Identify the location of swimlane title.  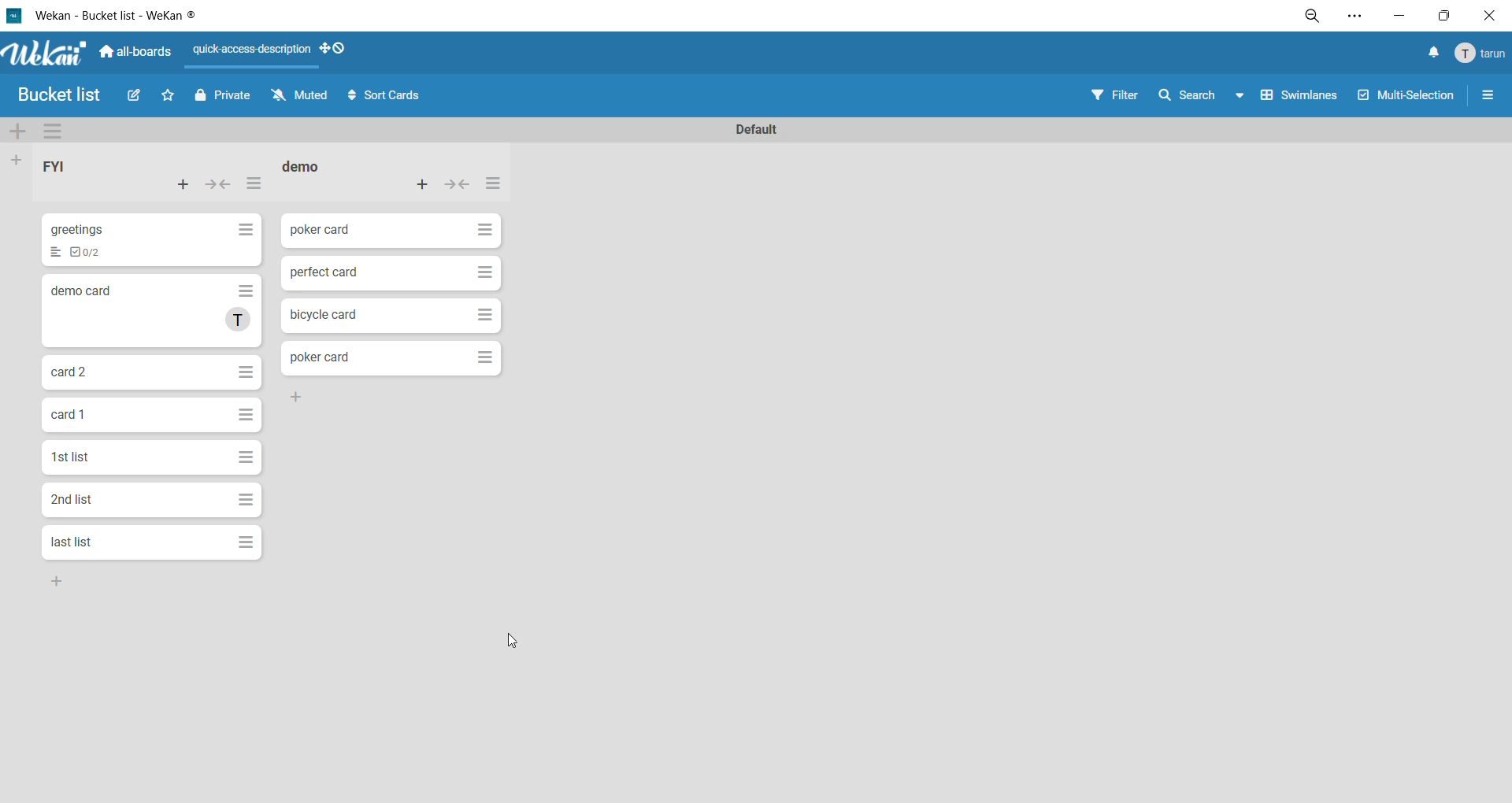
(757, 128).